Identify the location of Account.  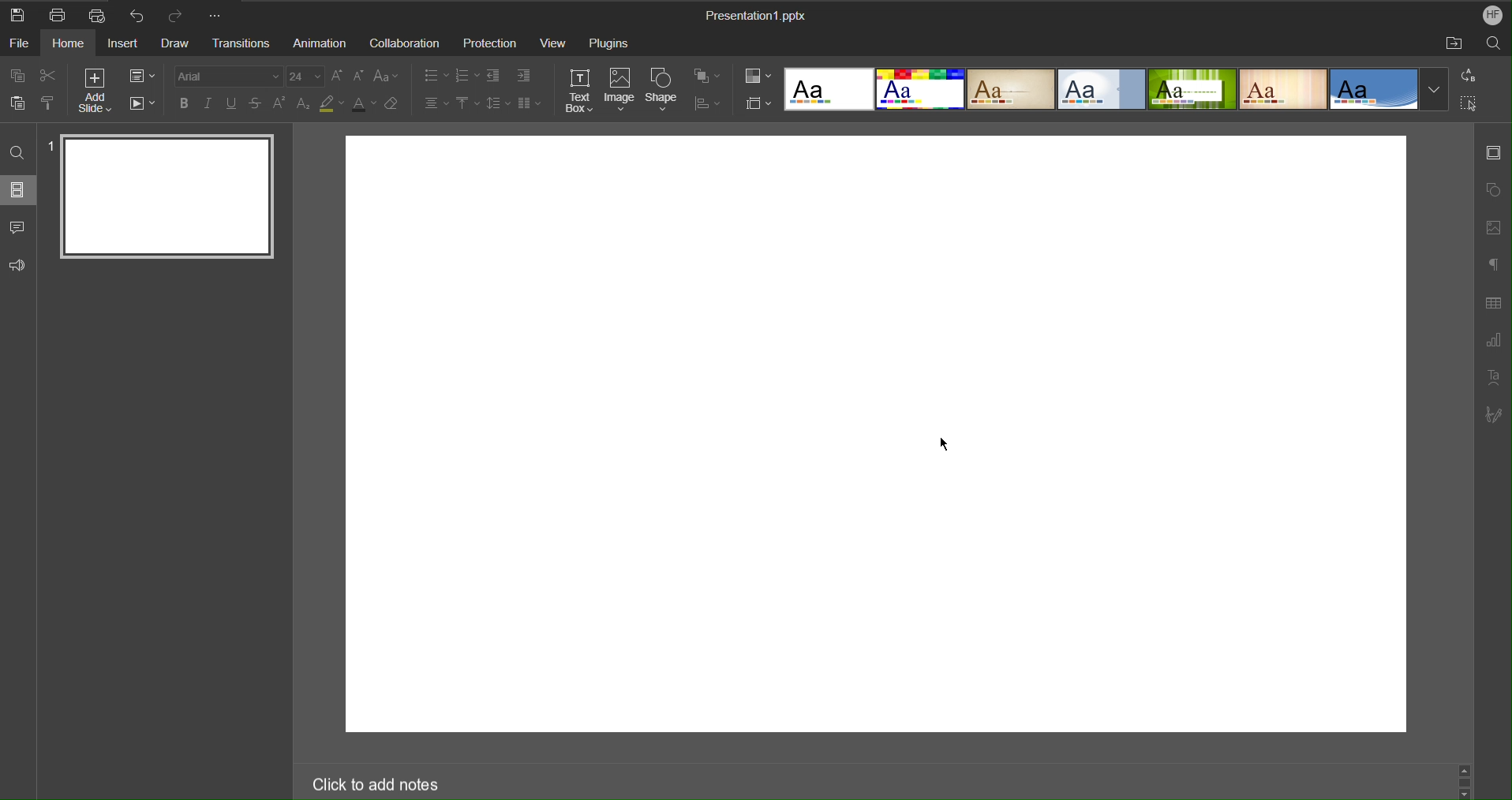
(1494, 15).